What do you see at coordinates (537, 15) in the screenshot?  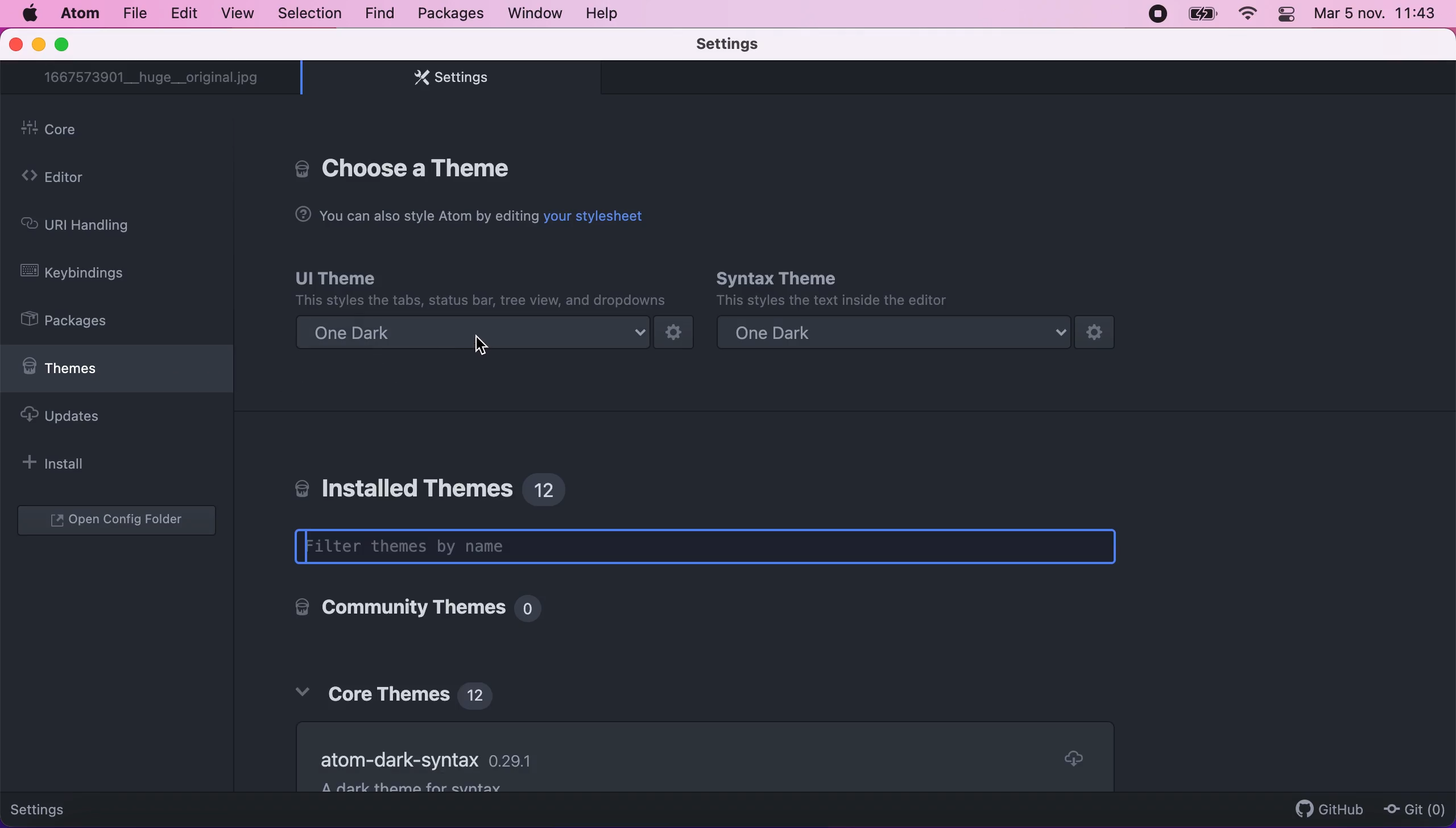 I see `window` at bounding box center [537, 15].